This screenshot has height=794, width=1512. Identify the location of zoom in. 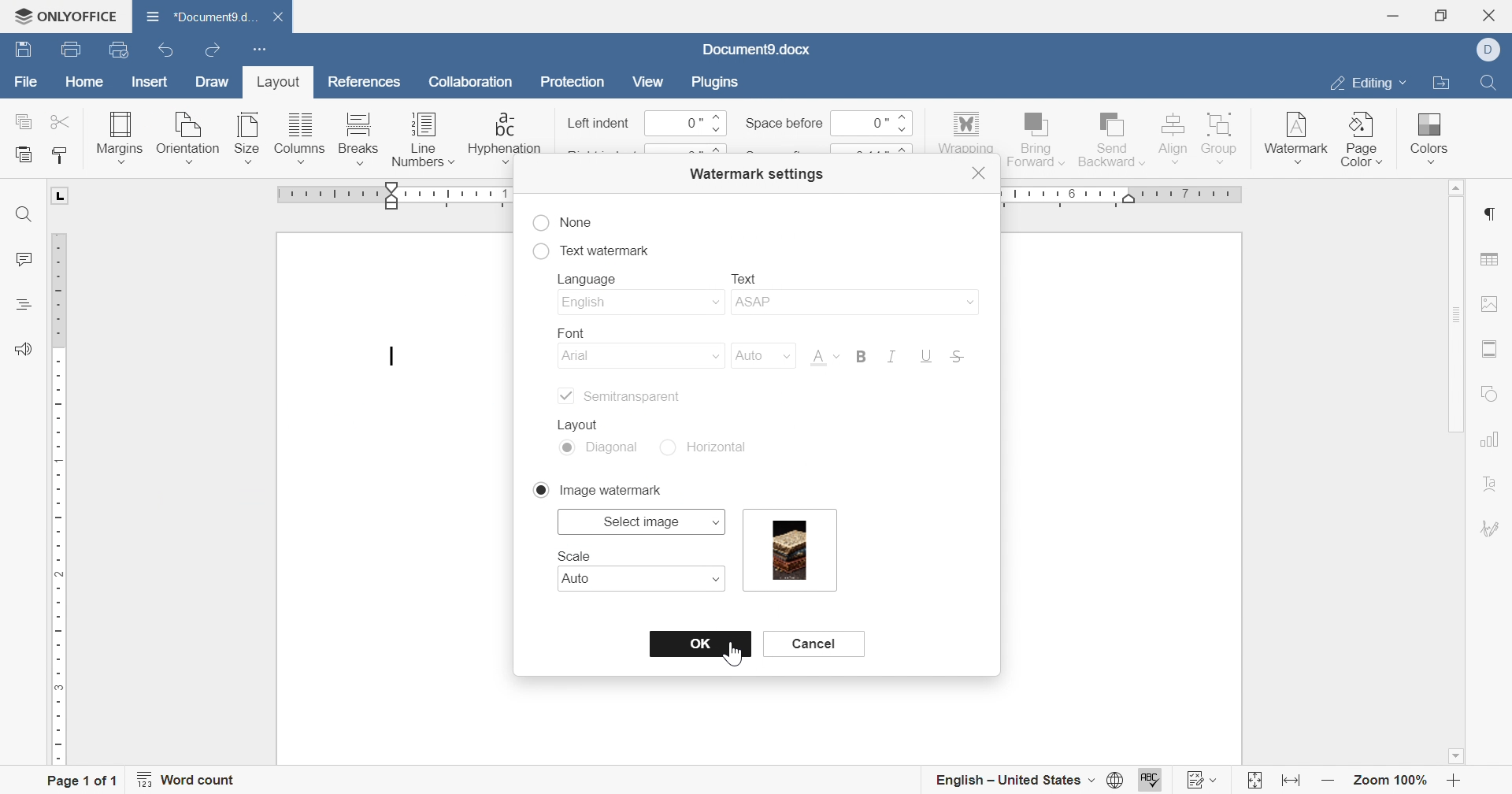
(1454, 783).